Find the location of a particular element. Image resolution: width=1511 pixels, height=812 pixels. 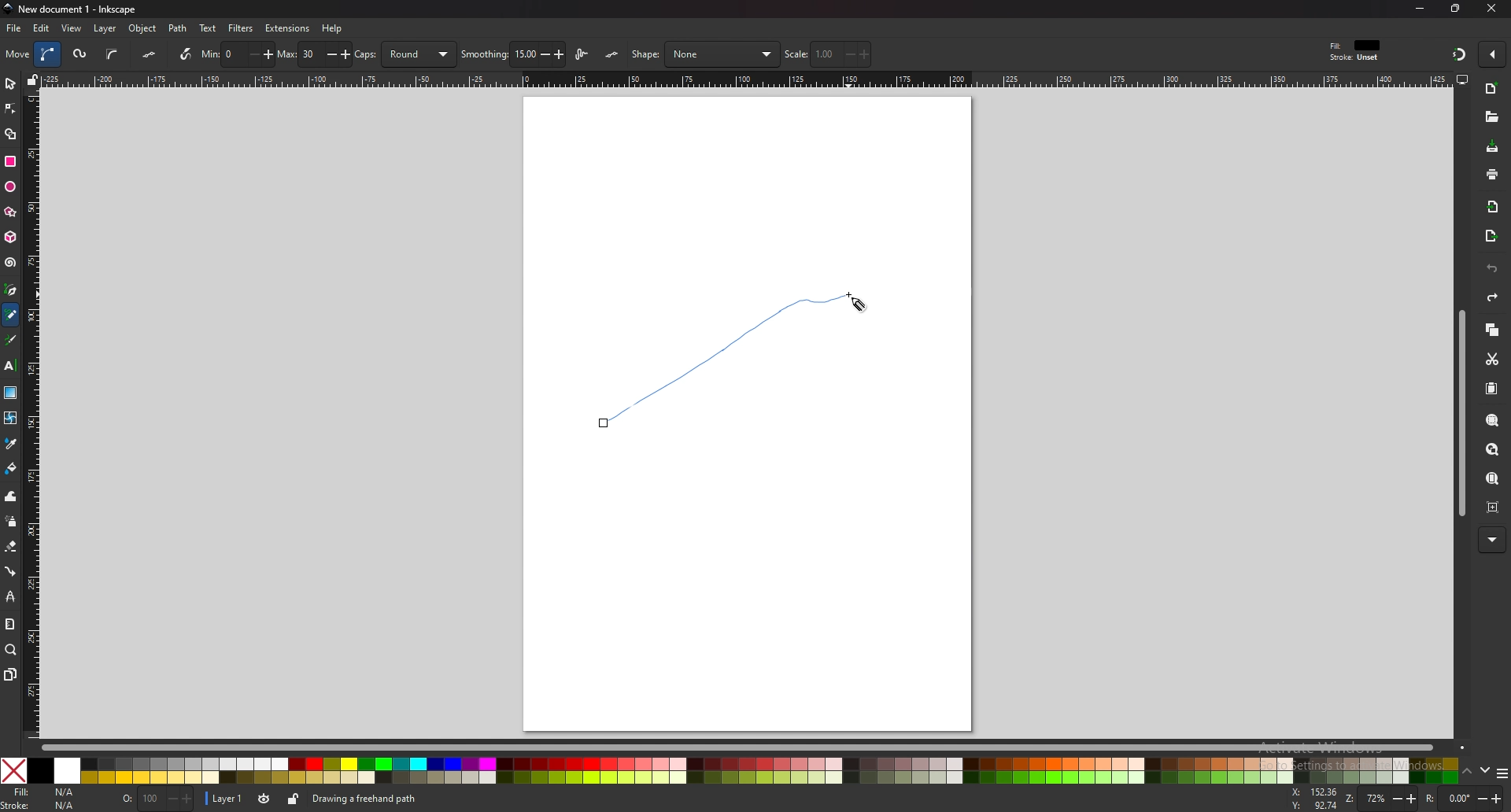

title is located at coordinates (69, 9).